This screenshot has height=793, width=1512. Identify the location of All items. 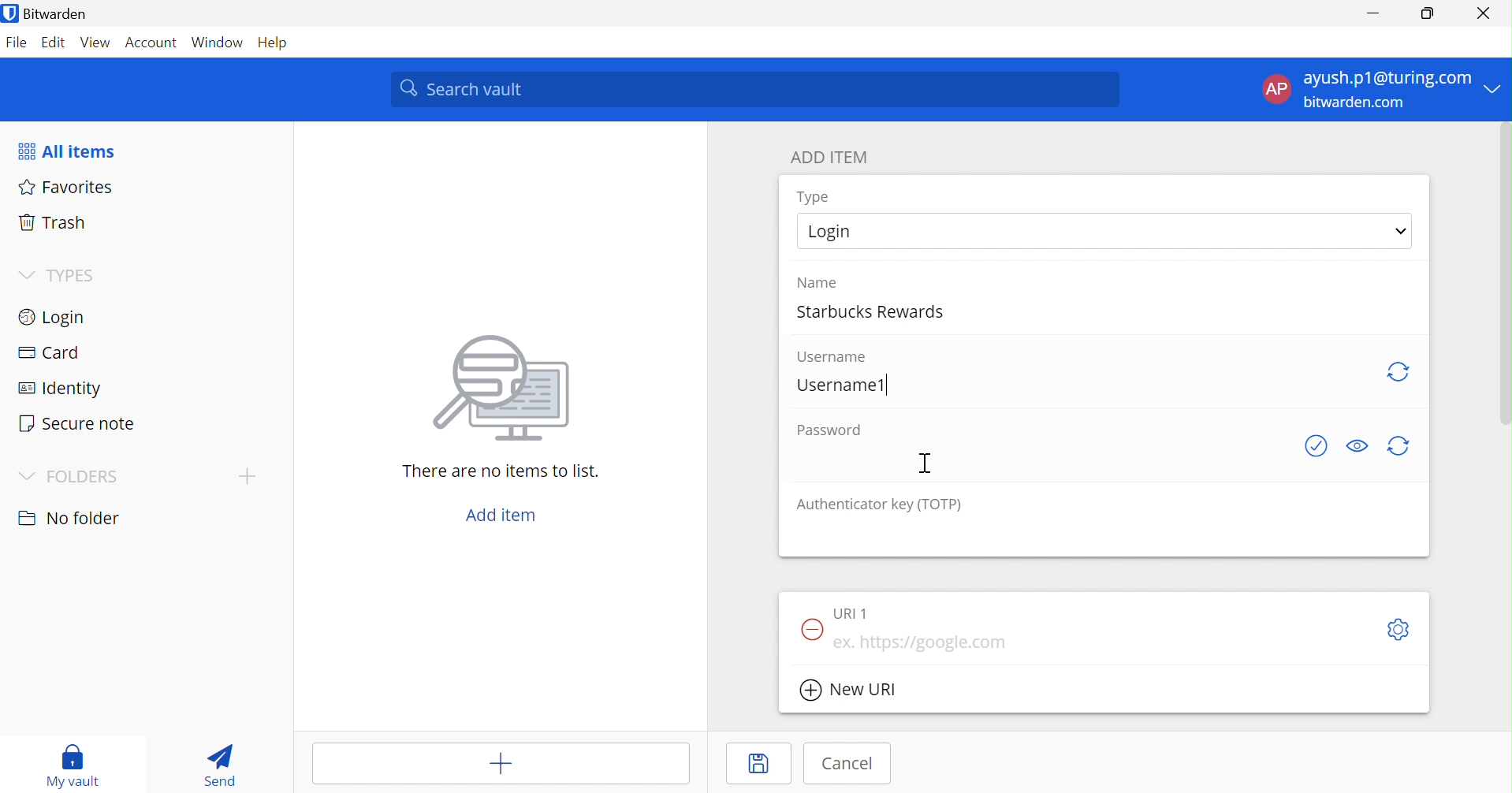
(65, 152).